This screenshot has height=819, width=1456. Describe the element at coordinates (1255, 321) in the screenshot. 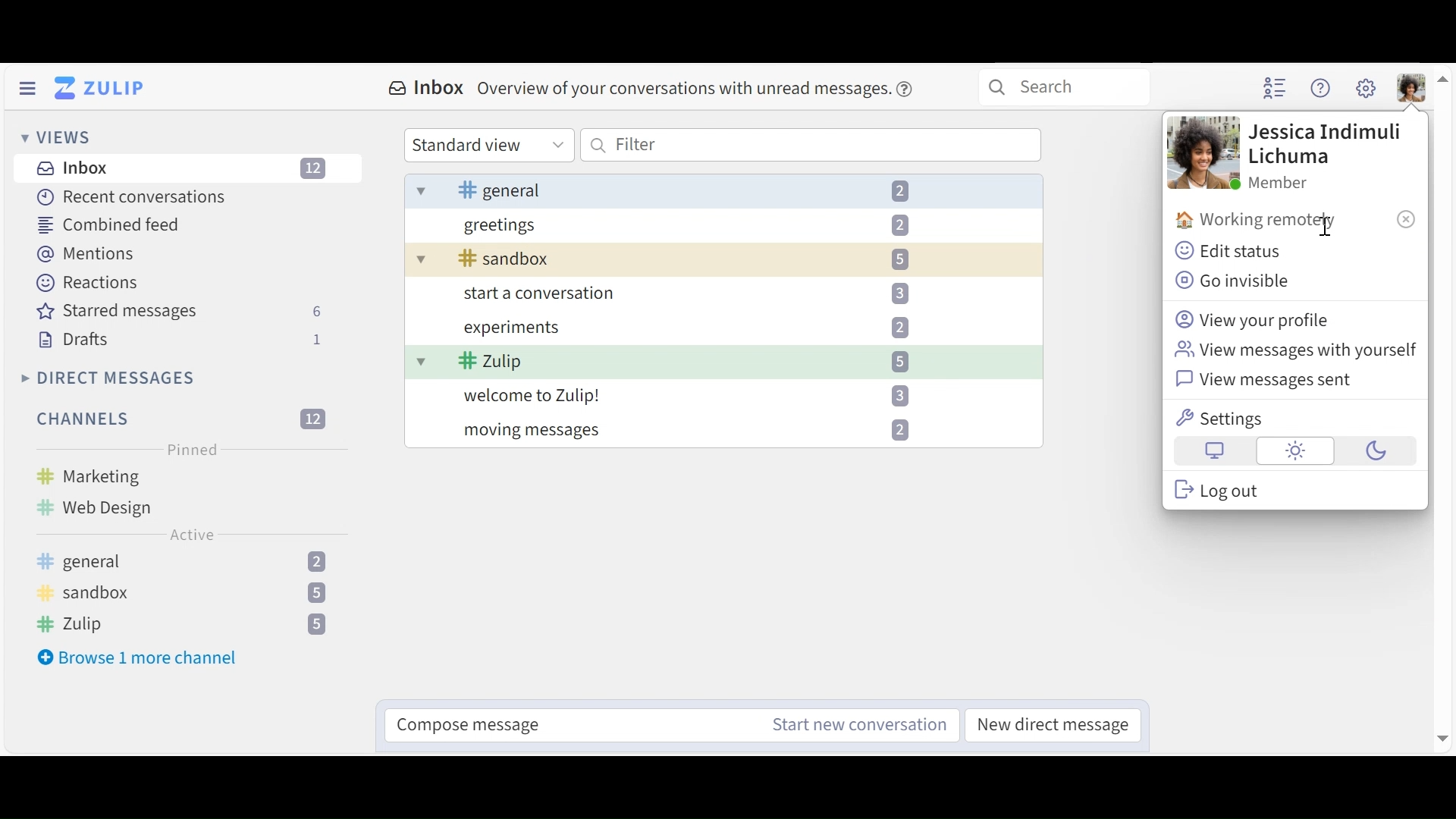

I see `View your profil` at that location.